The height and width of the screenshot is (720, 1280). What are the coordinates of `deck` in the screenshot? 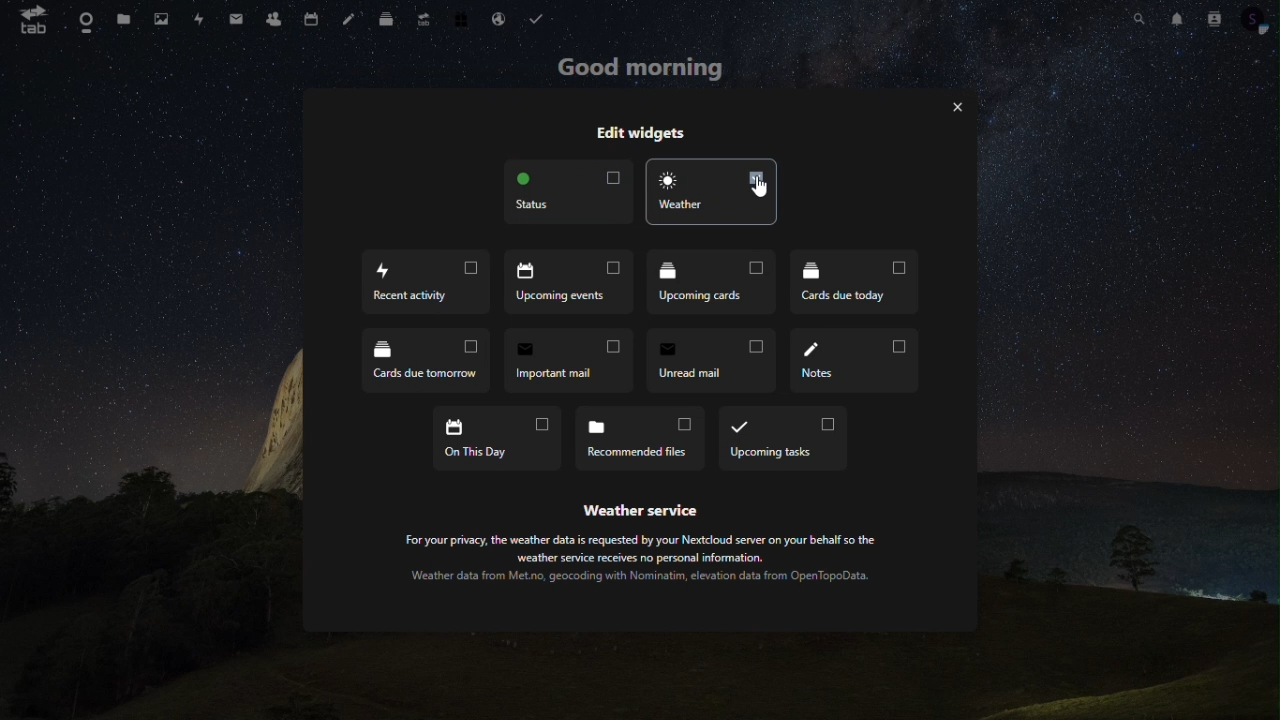 It's located at (384, 21).